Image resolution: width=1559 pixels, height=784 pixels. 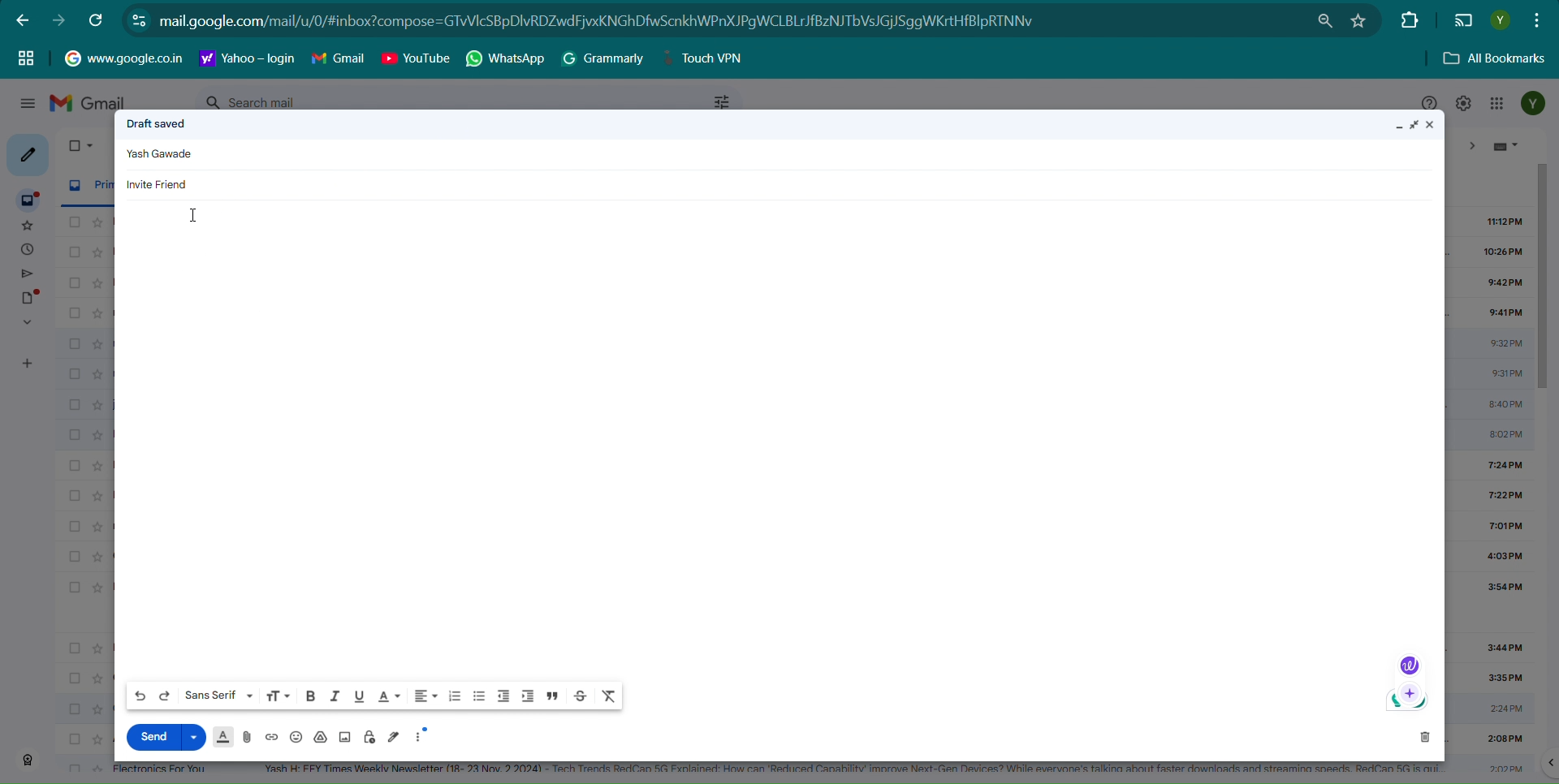 What do you see at coordinates (310, 695) in the screenshot?
I see `Bold` at bounding box center [310, 695].